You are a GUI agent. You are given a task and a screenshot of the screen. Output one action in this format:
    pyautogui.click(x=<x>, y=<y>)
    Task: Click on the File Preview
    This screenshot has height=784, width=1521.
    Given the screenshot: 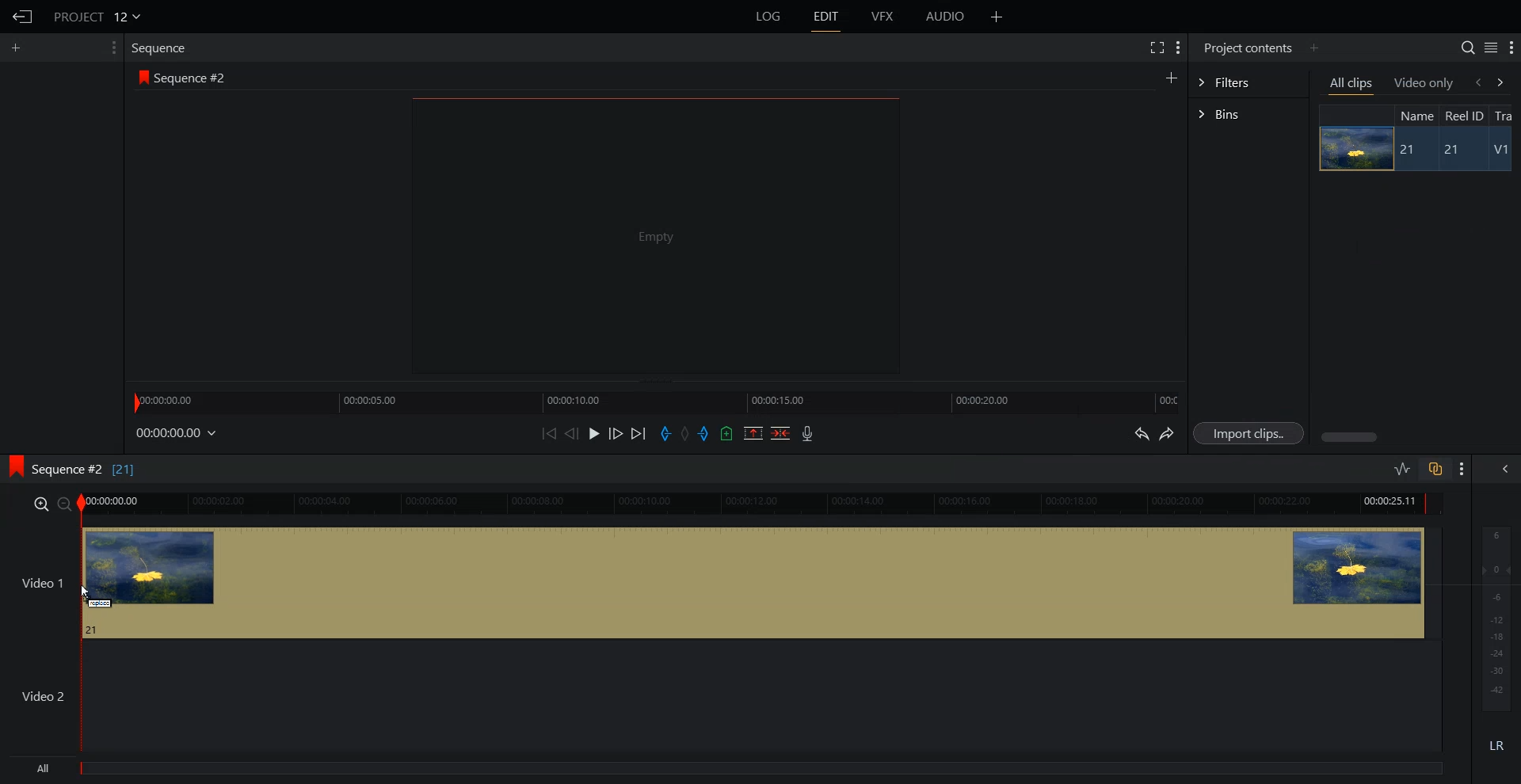 What is the action you would take?
    pyautogui.click(x=655, y=234)
    